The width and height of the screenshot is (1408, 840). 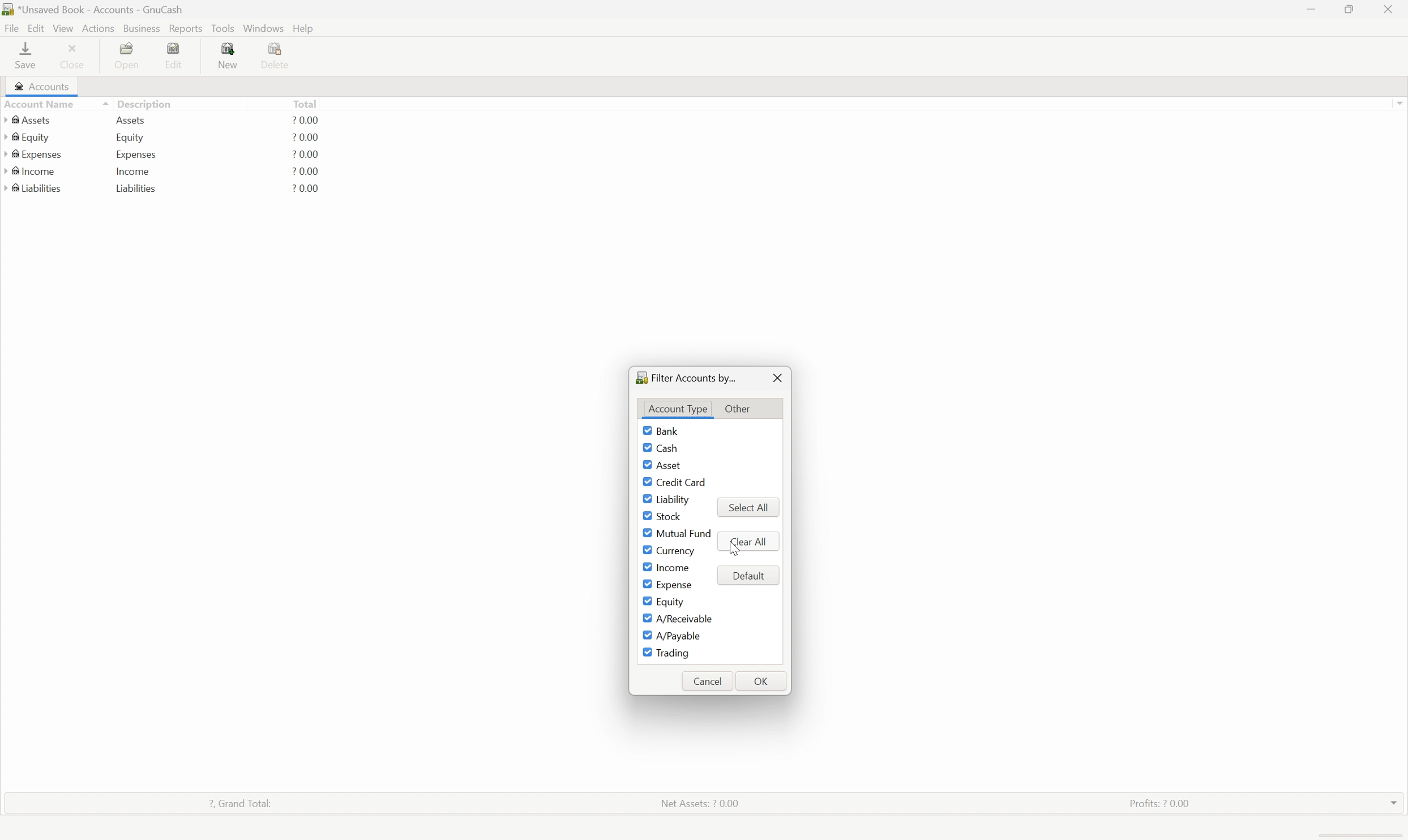 I want to click on Close, so click(x=779, y=378).